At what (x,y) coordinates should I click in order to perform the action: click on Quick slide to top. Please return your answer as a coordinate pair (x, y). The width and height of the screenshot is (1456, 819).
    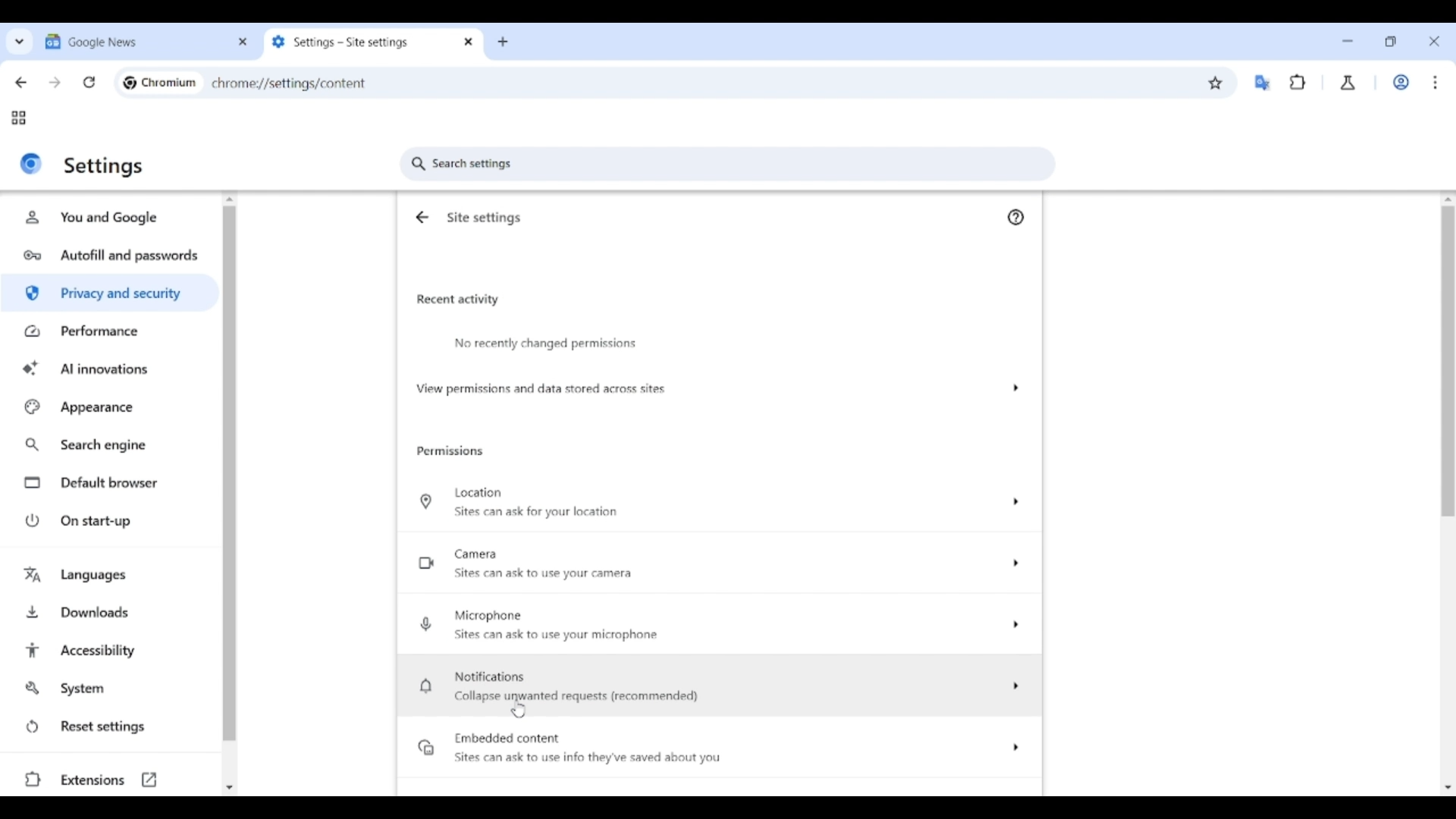
    Looking at the image, I should click on (230, 199).